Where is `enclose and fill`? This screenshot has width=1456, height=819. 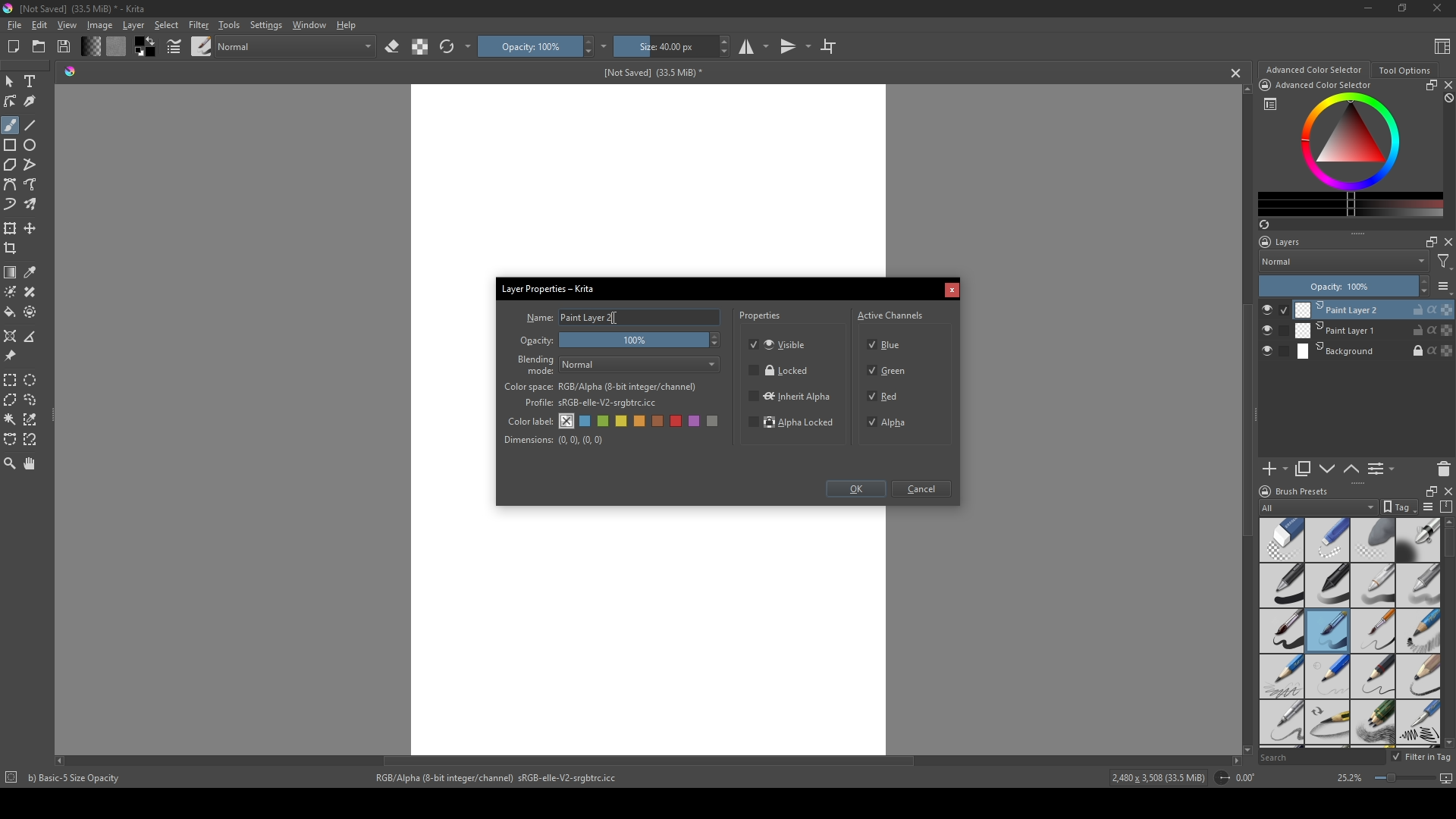
enclose and fill is located at coordinates (32, 312).